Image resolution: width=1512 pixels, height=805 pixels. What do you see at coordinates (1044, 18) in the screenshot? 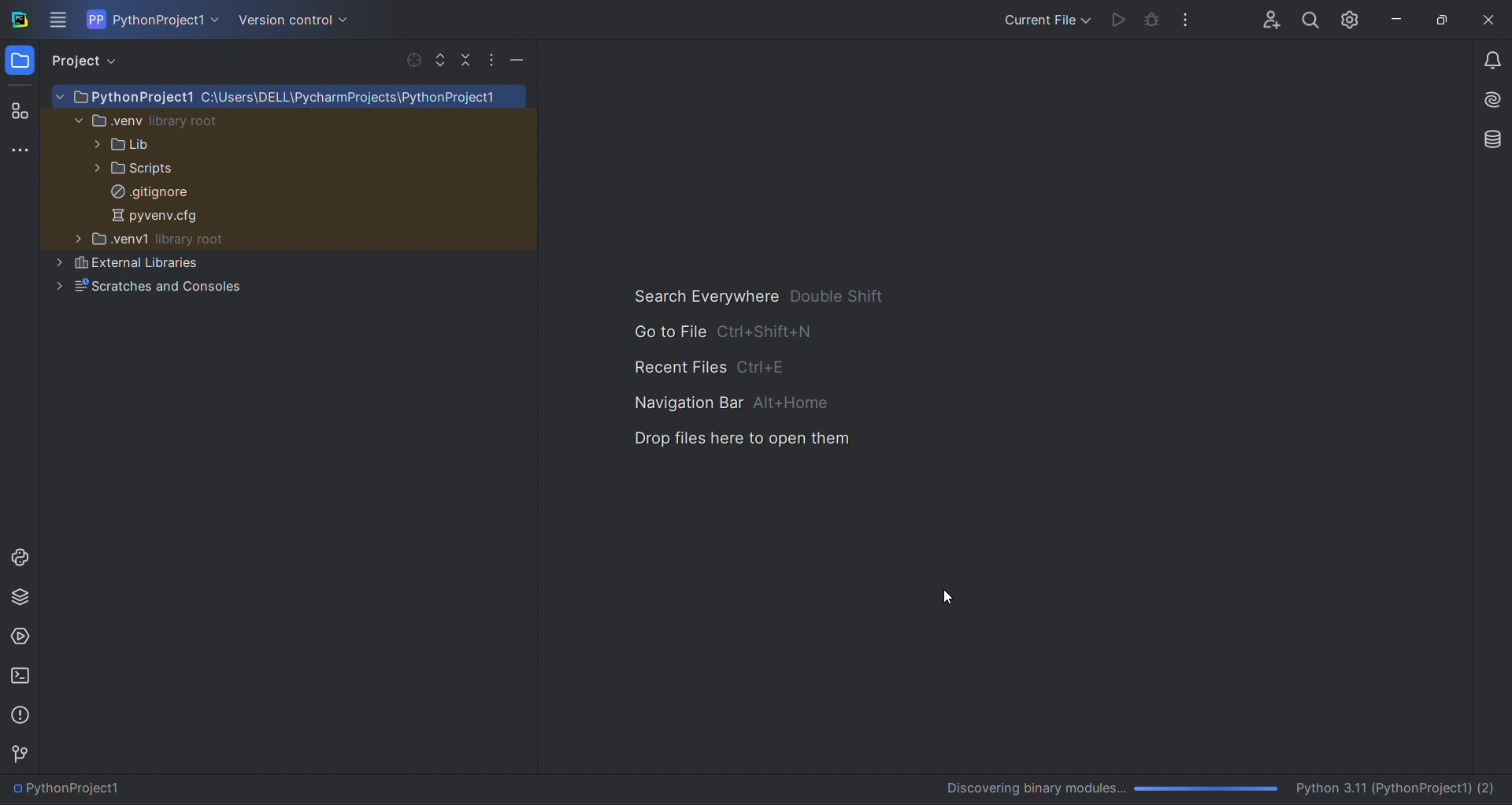
I see `run/debug options` at bounding box center [1044, 18].